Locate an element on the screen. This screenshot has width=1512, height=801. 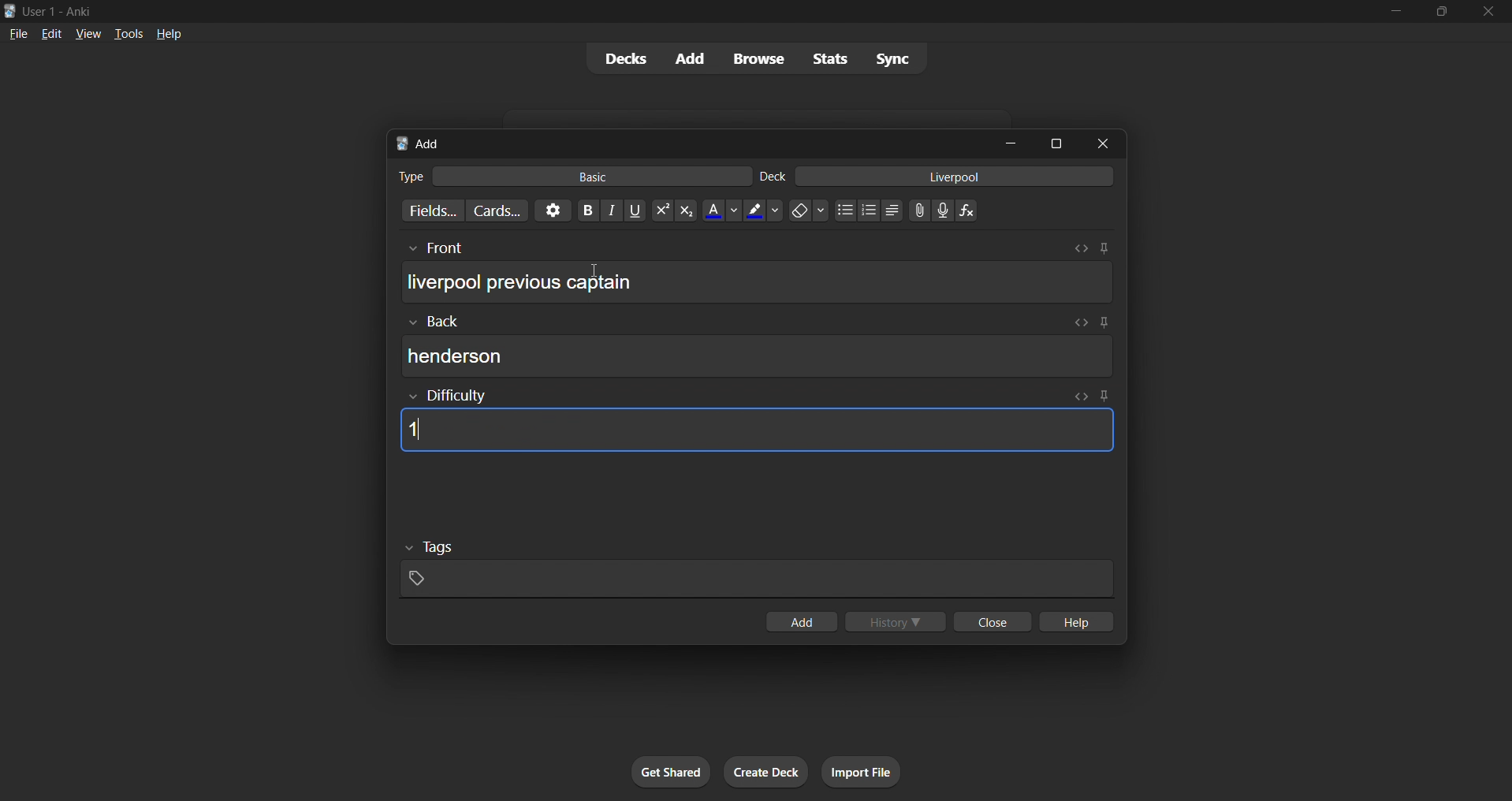
add is located at coordinates (799, 623).